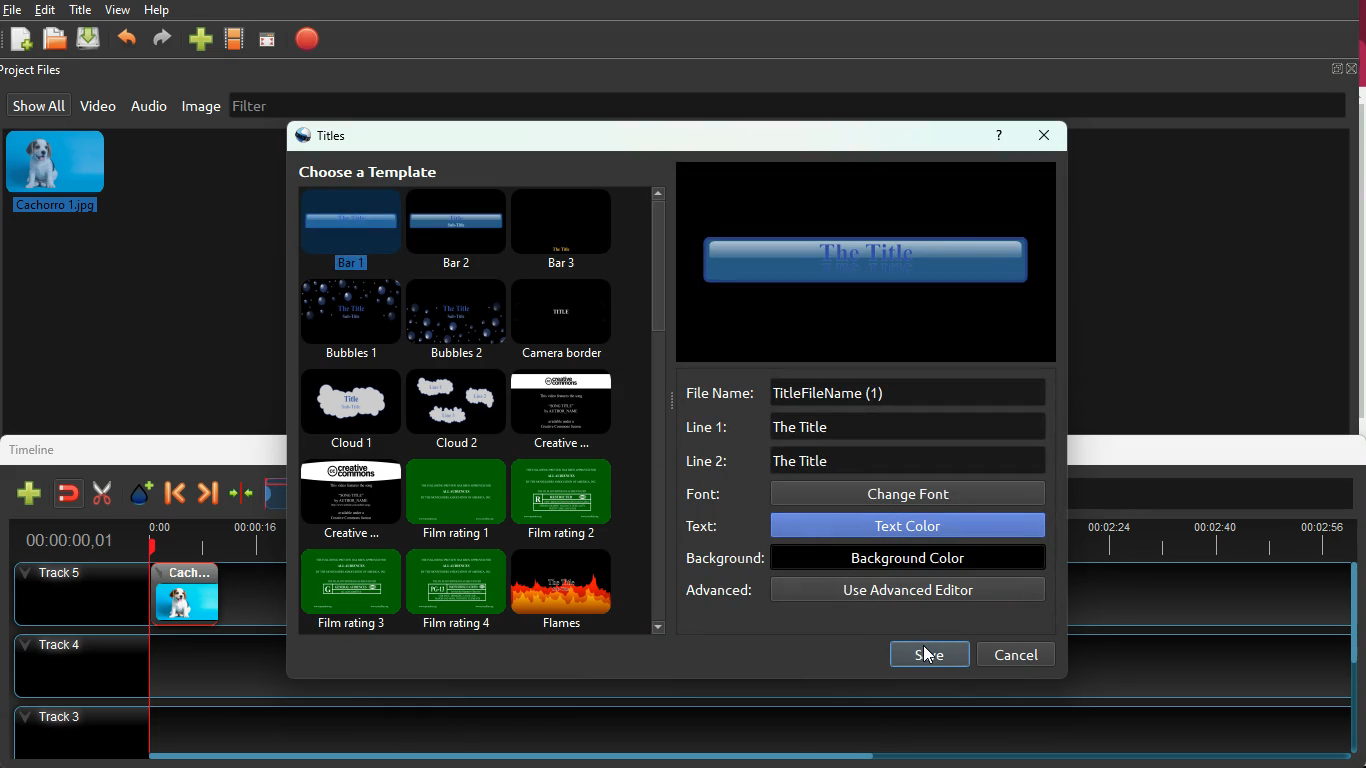 The image size is (1366, 768). What do you see at coordinates (175, 493) in the screenshot?
I see `back` at bounding box center [175, 493].